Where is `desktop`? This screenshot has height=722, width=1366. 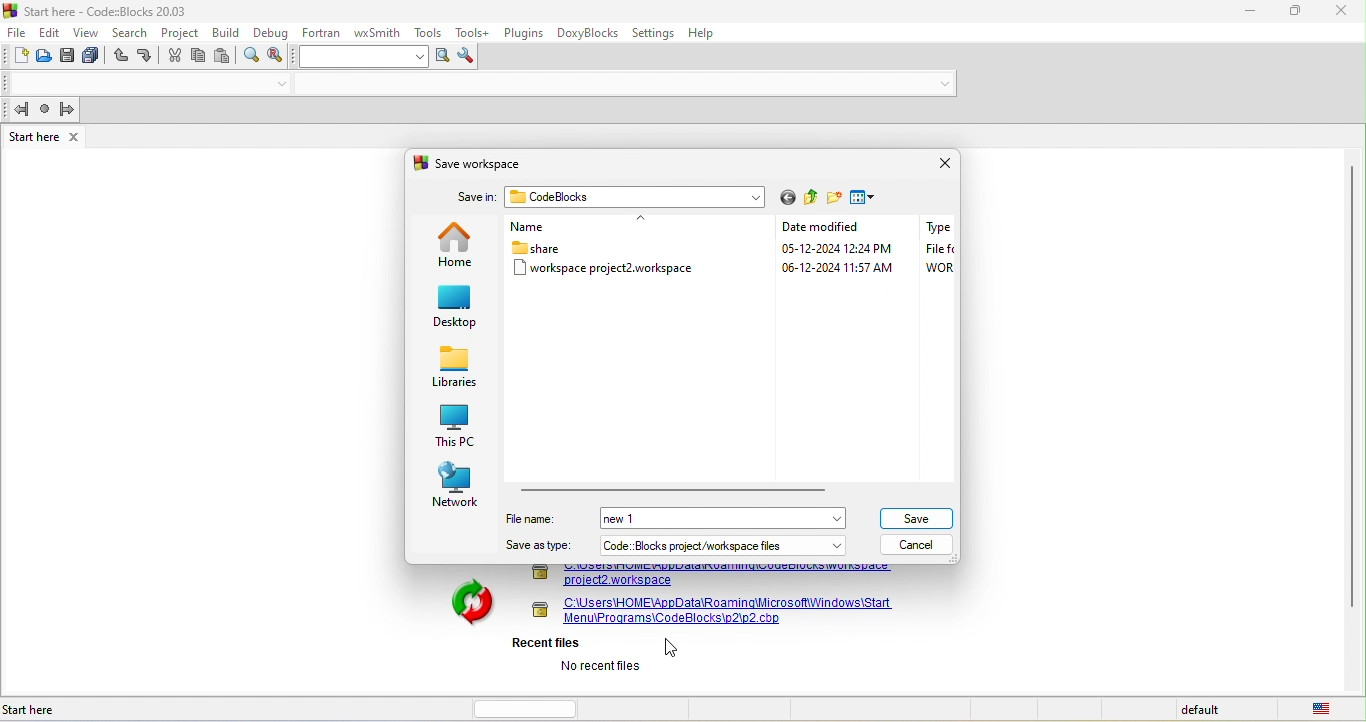
desktop is located at coordinates (457, 309).